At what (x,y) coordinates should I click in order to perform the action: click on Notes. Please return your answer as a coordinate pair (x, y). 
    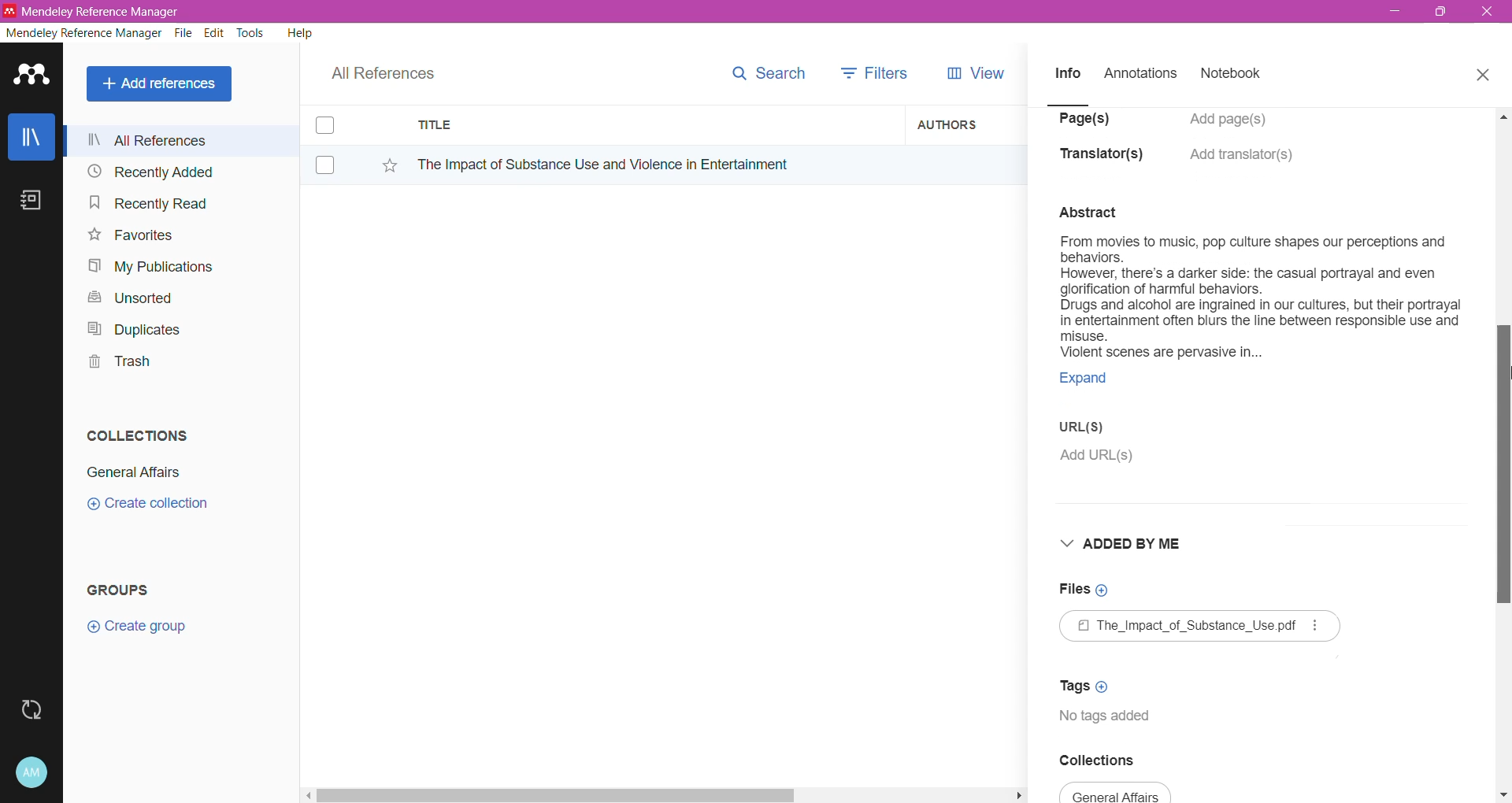
    Looking at the image, I should click on (35, 202).